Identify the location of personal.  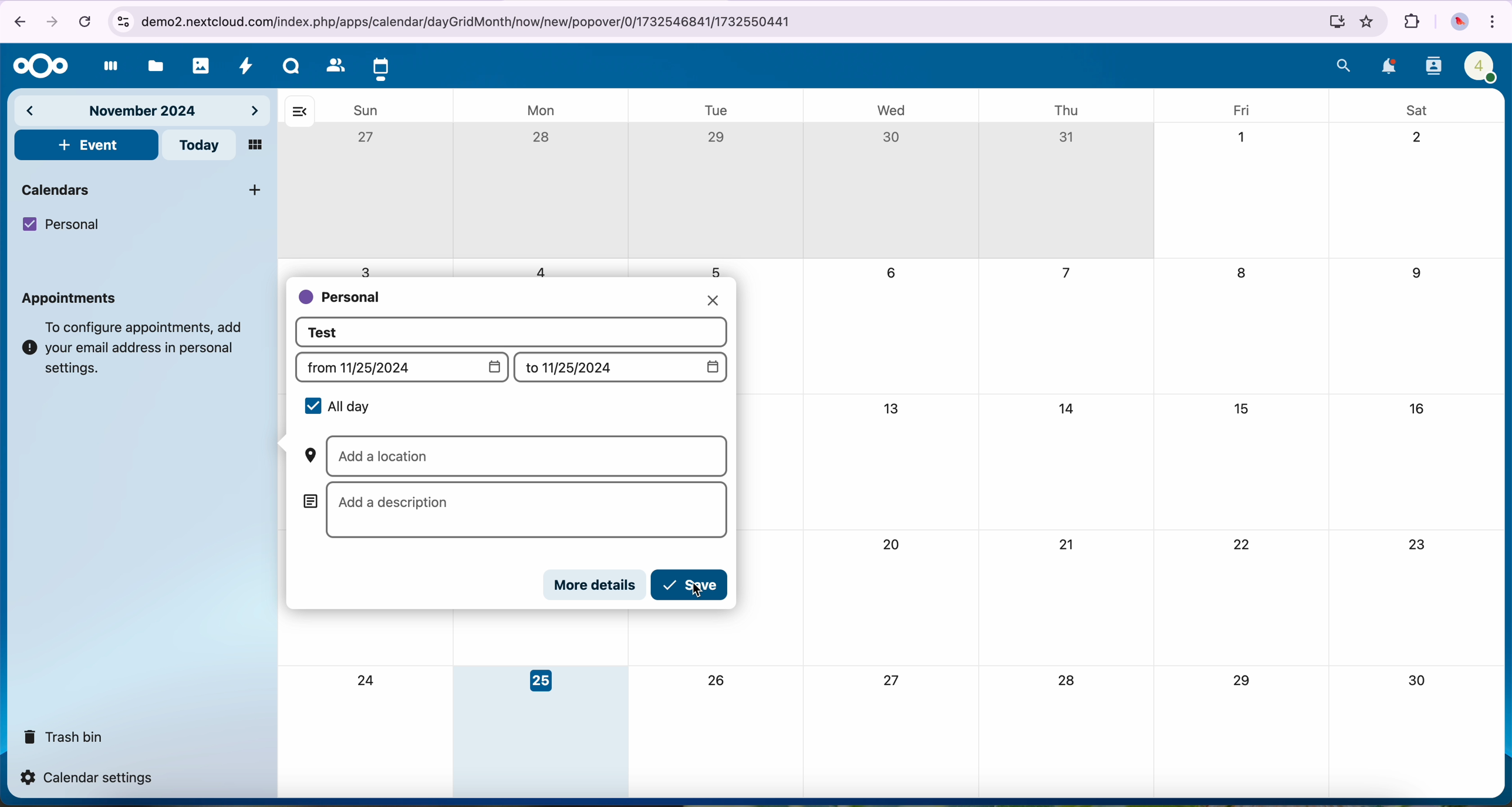
(61, 225).